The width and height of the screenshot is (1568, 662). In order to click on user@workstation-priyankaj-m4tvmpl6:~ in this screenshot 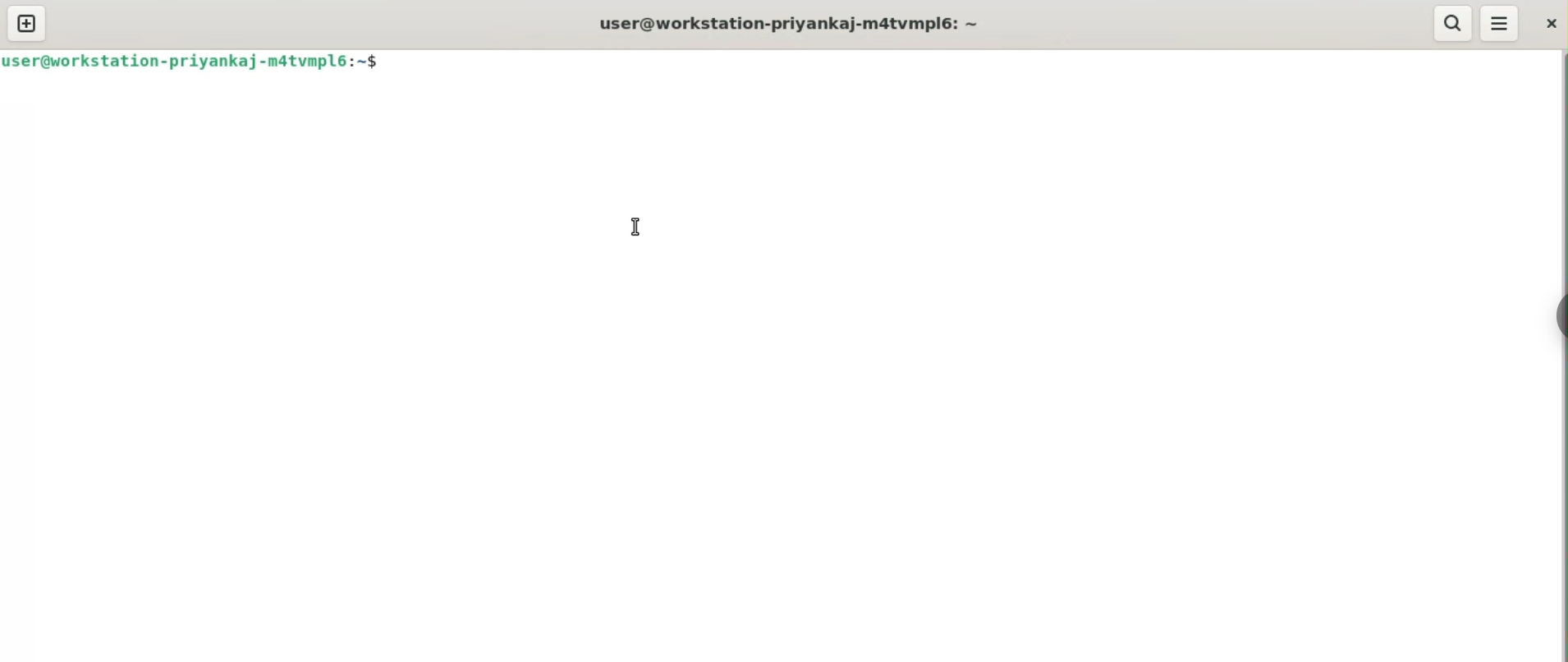, I will do `click(791, 25)`.